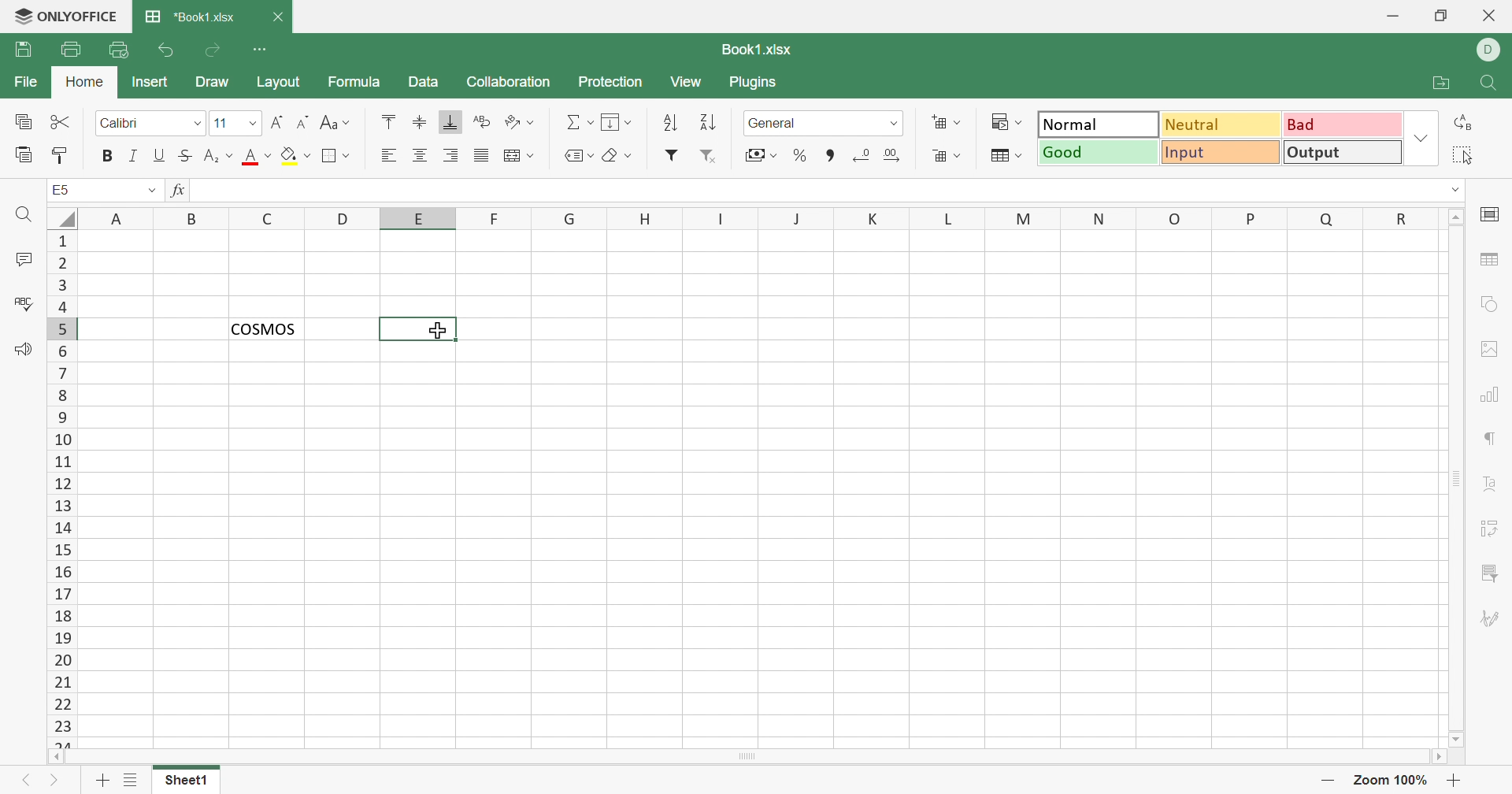 This screenshot has height=794, width=1512. Describe the element at coordinates (518, 154) in the screenshot. I see `Merge and center` at that location.